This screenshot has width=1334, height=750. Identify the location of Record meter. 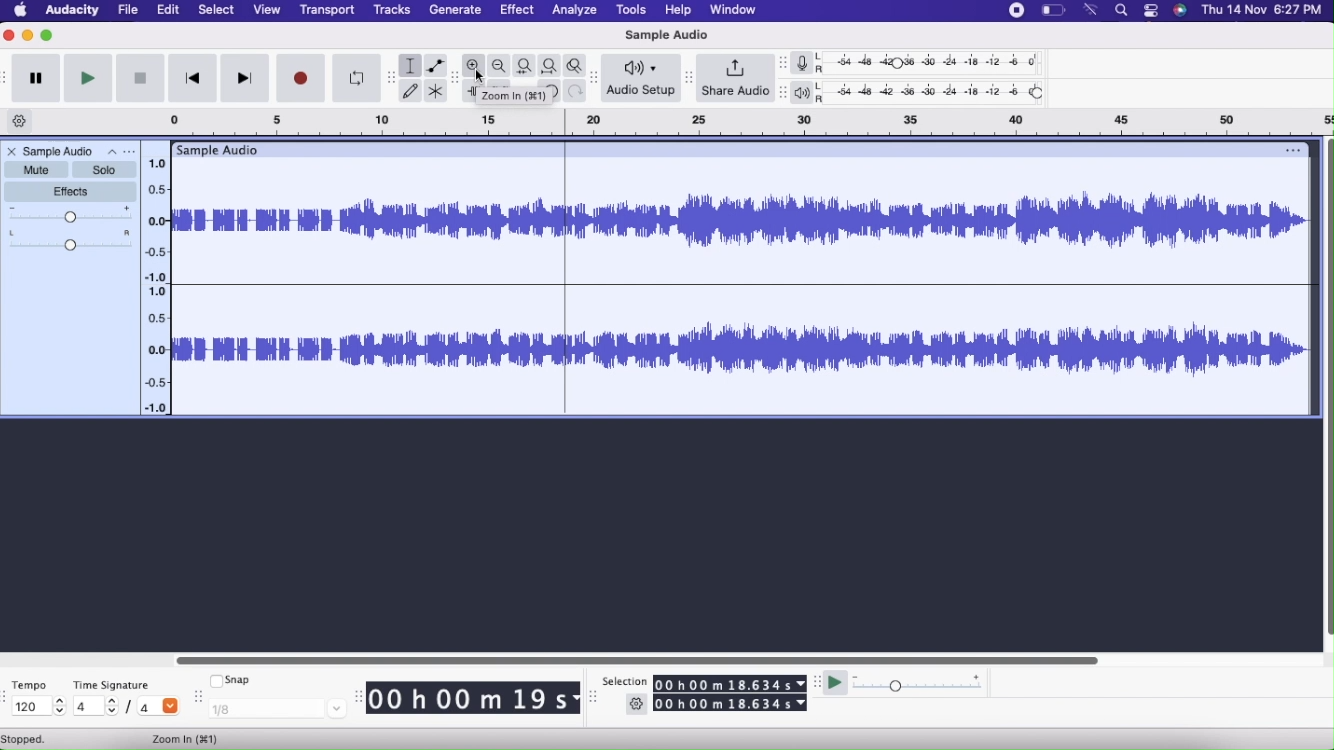
(810, 63).